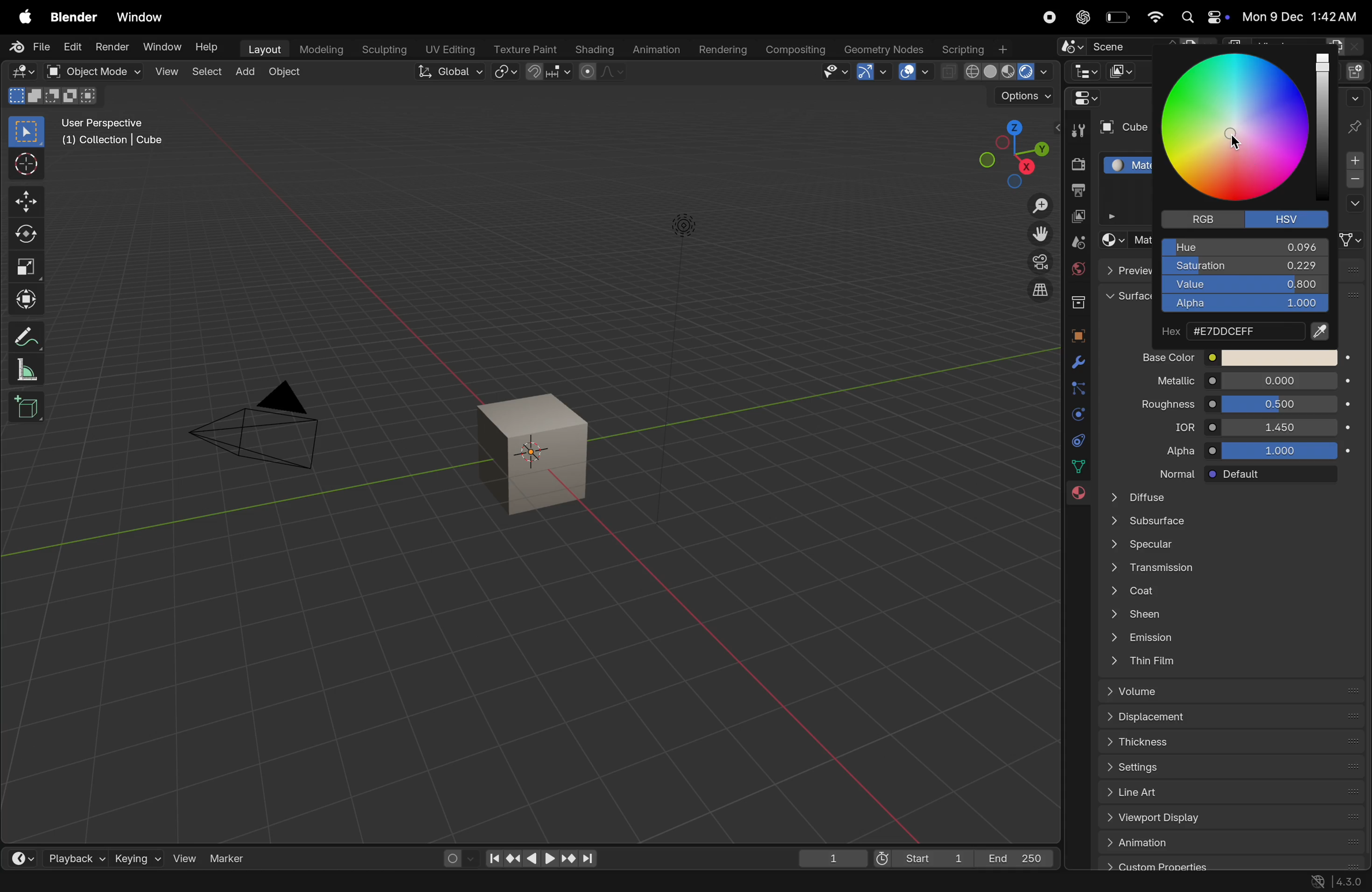 Image resolution: width=1372 pixels, height=892 pixels. I want to click on add cube, so click(29, 406).